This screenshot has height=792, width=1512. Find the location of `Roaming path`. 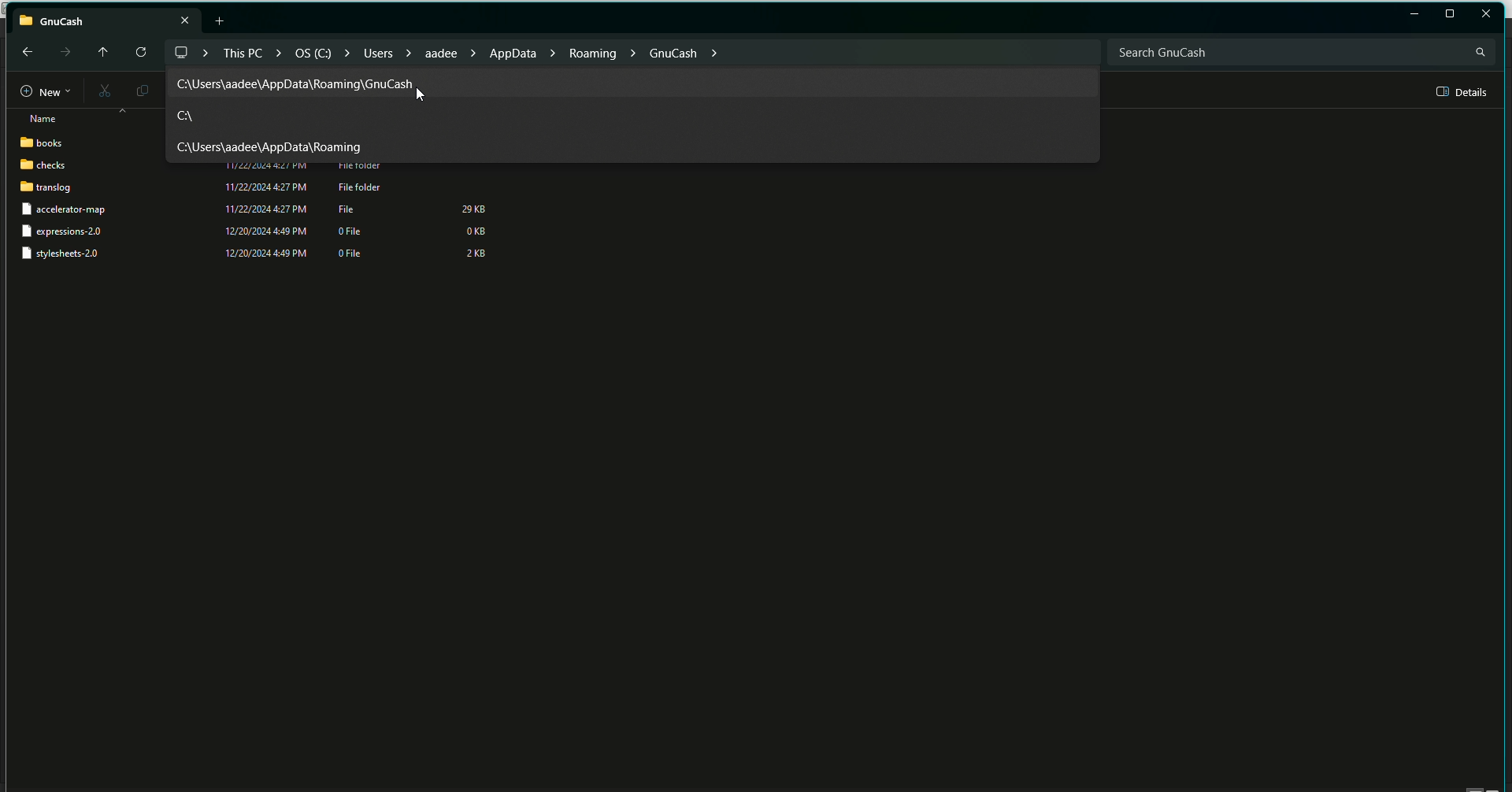

Roaming path is located at coordinates (273, 146).